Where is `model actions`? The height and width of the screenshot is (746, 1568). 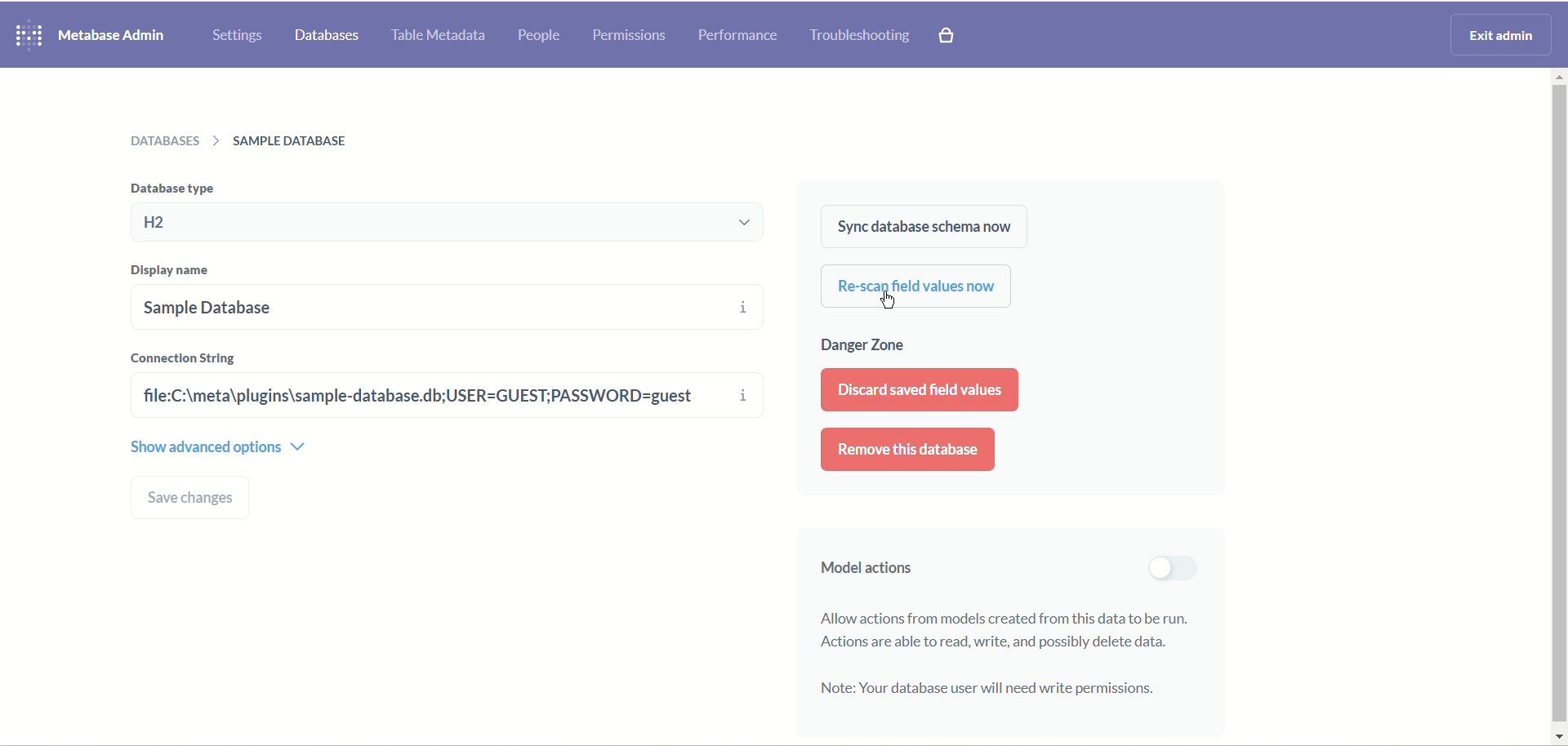
model actions is located at coordinates (861, 571).